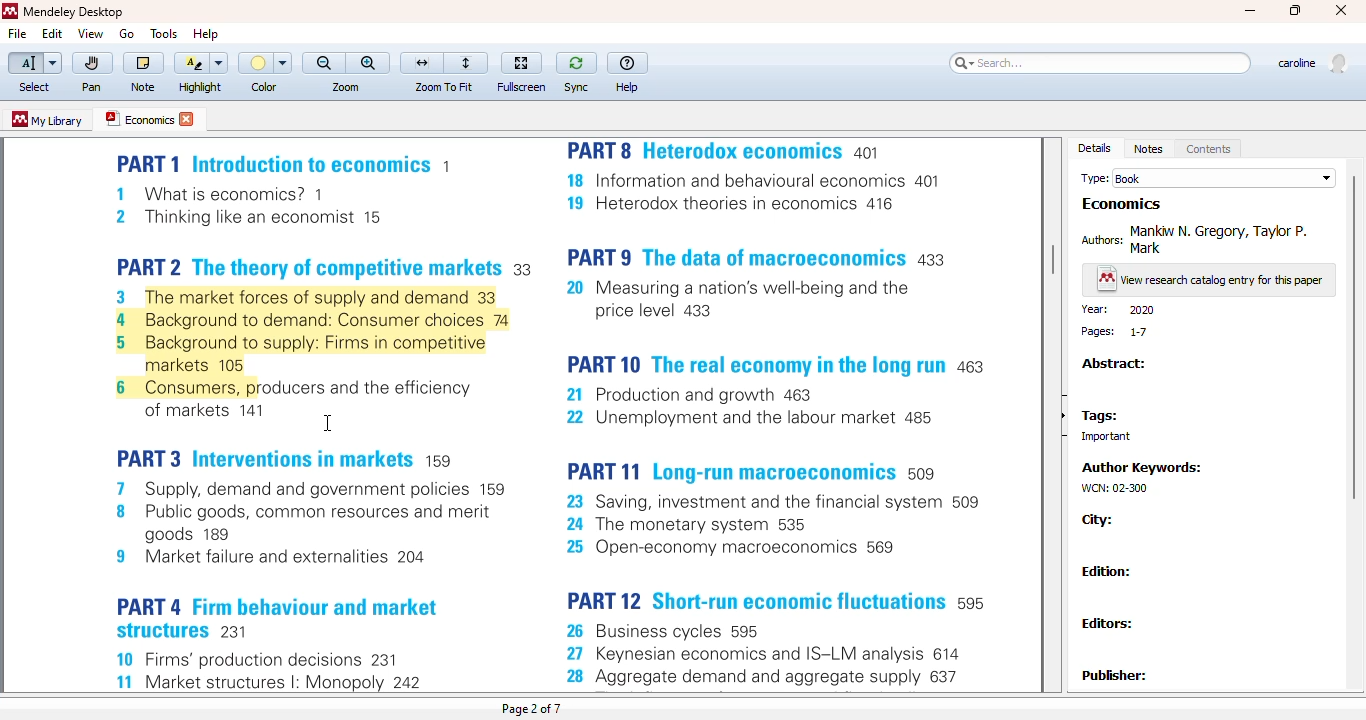 The height and width of the screenshot is (720, 1366). What do you see at coordinates (1113, 364) in the screenshot?
I see `abstract: ` at bounding box center [1113, 364].